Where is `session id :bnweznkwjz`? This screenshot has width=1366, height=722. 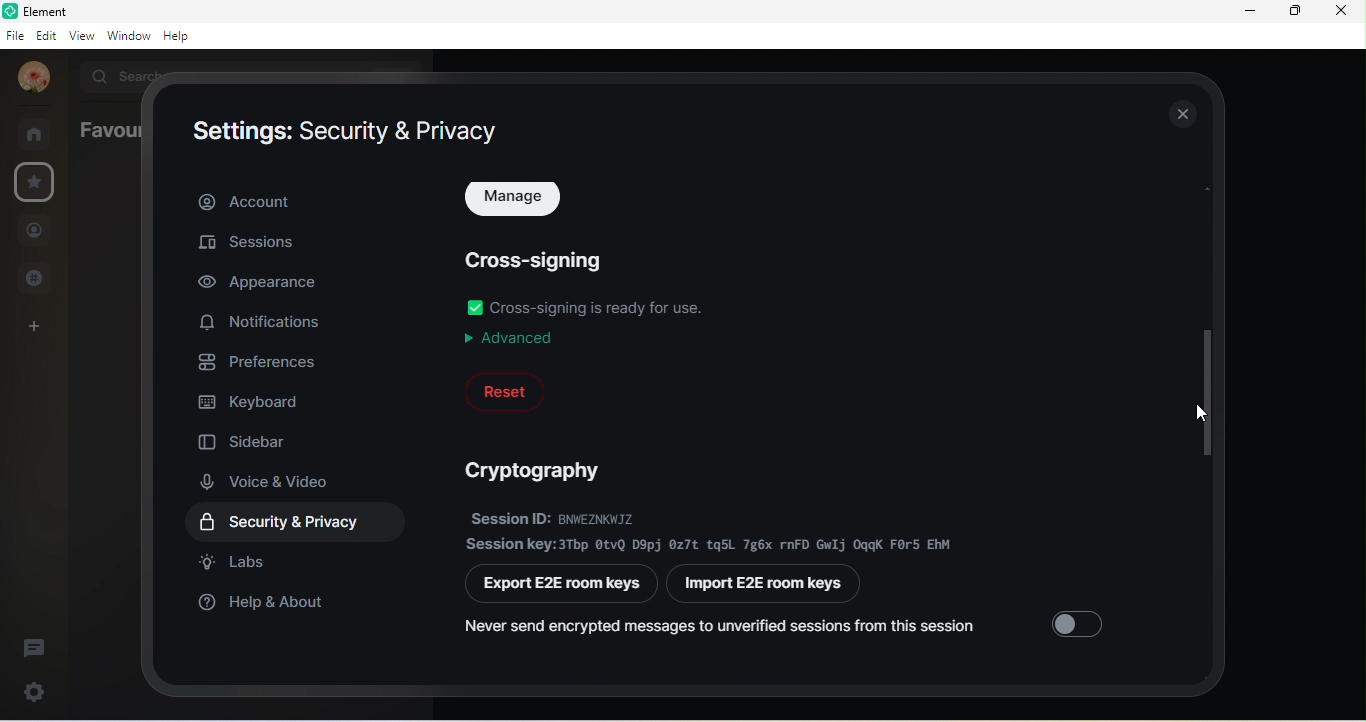
session id :bnweznkwjz is located at coordinates (587, 517).